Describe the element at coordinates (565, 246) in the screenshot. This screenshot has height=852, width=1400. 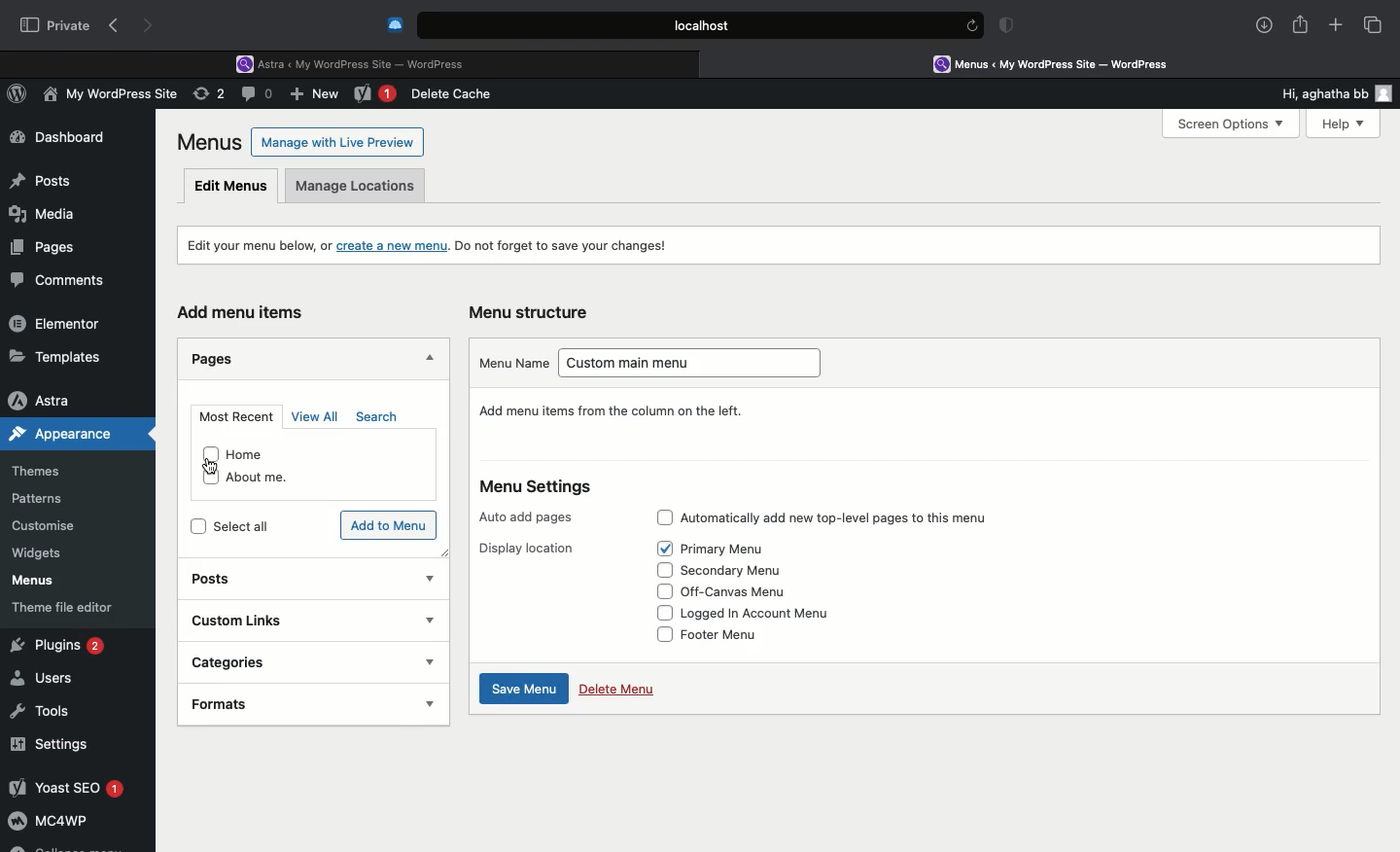
I see `Do not forget to save your changes!` at that location.